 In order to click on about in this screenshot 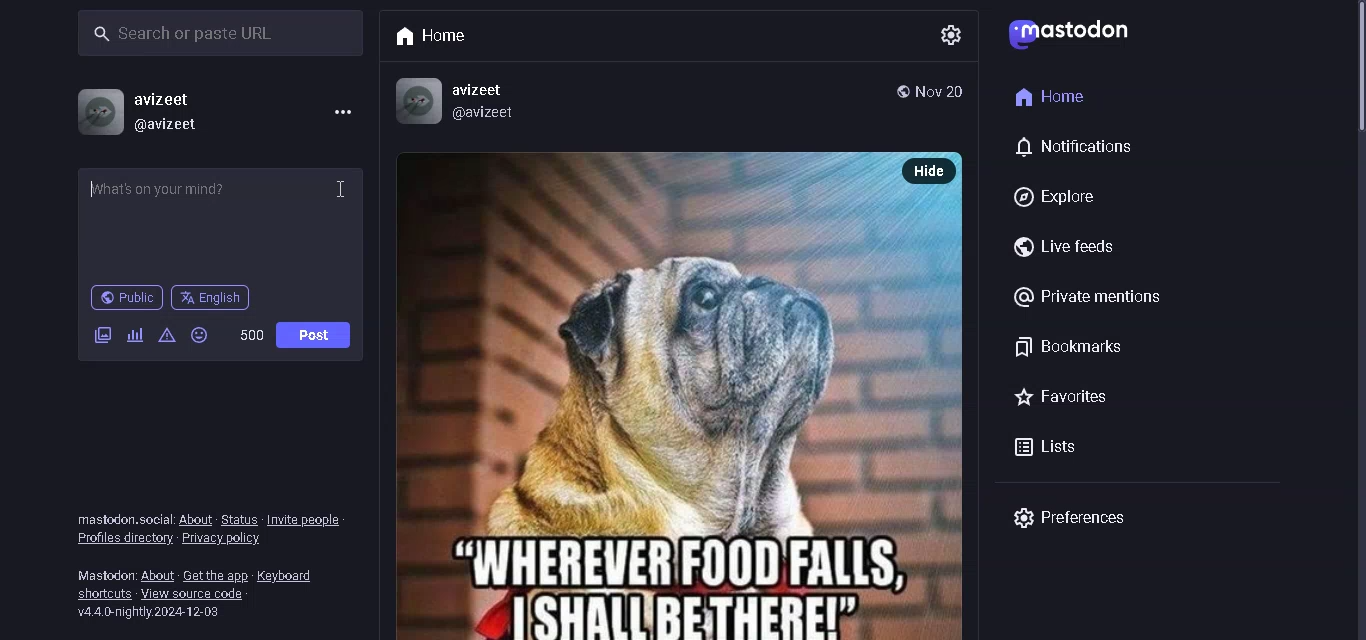, I will do `click(156, 576)`.